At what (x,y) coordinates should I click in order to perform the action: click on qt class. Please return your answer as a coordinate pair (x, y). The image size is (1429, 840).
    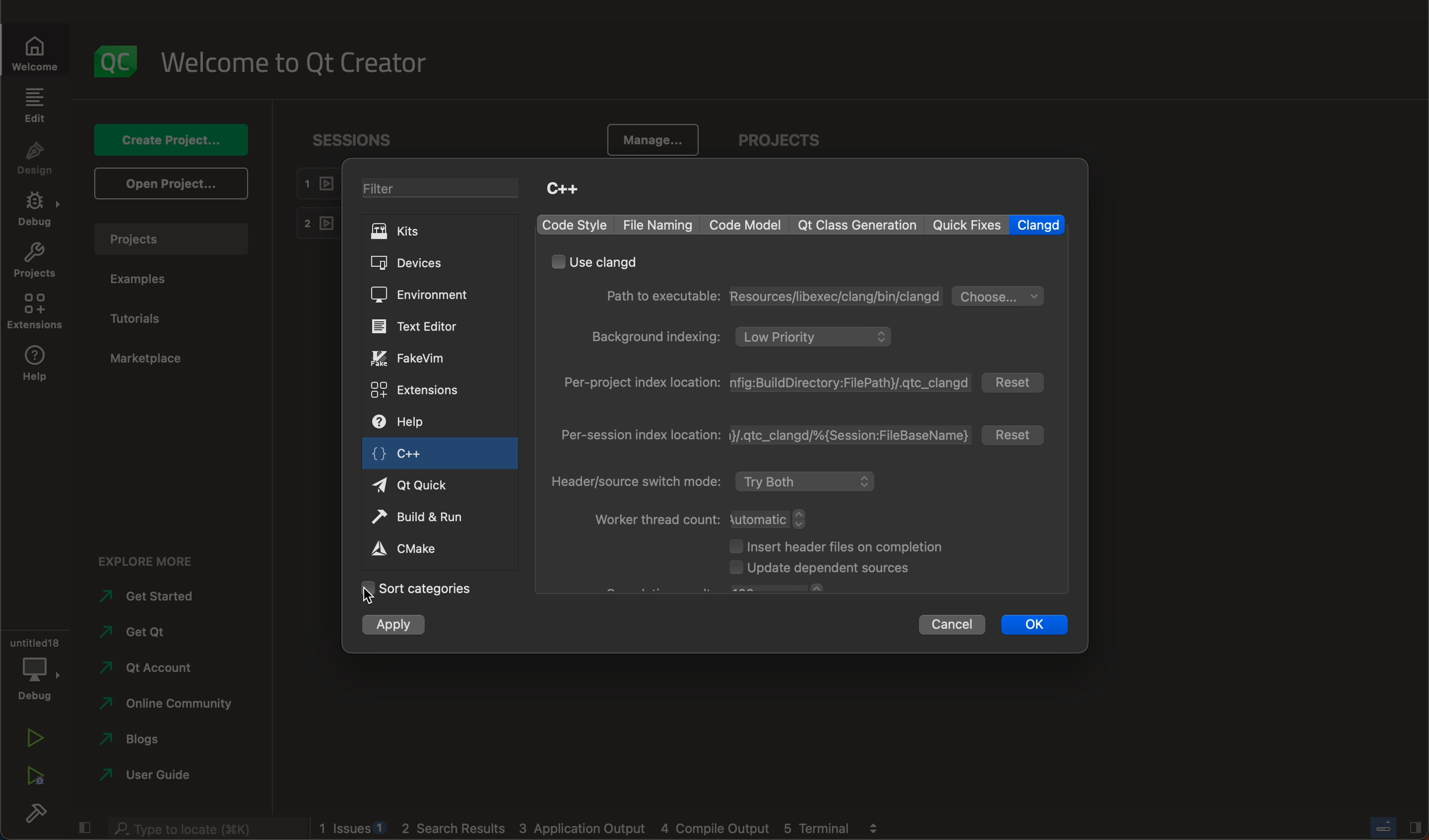
    Looking at the image, I should click on (860, 224).